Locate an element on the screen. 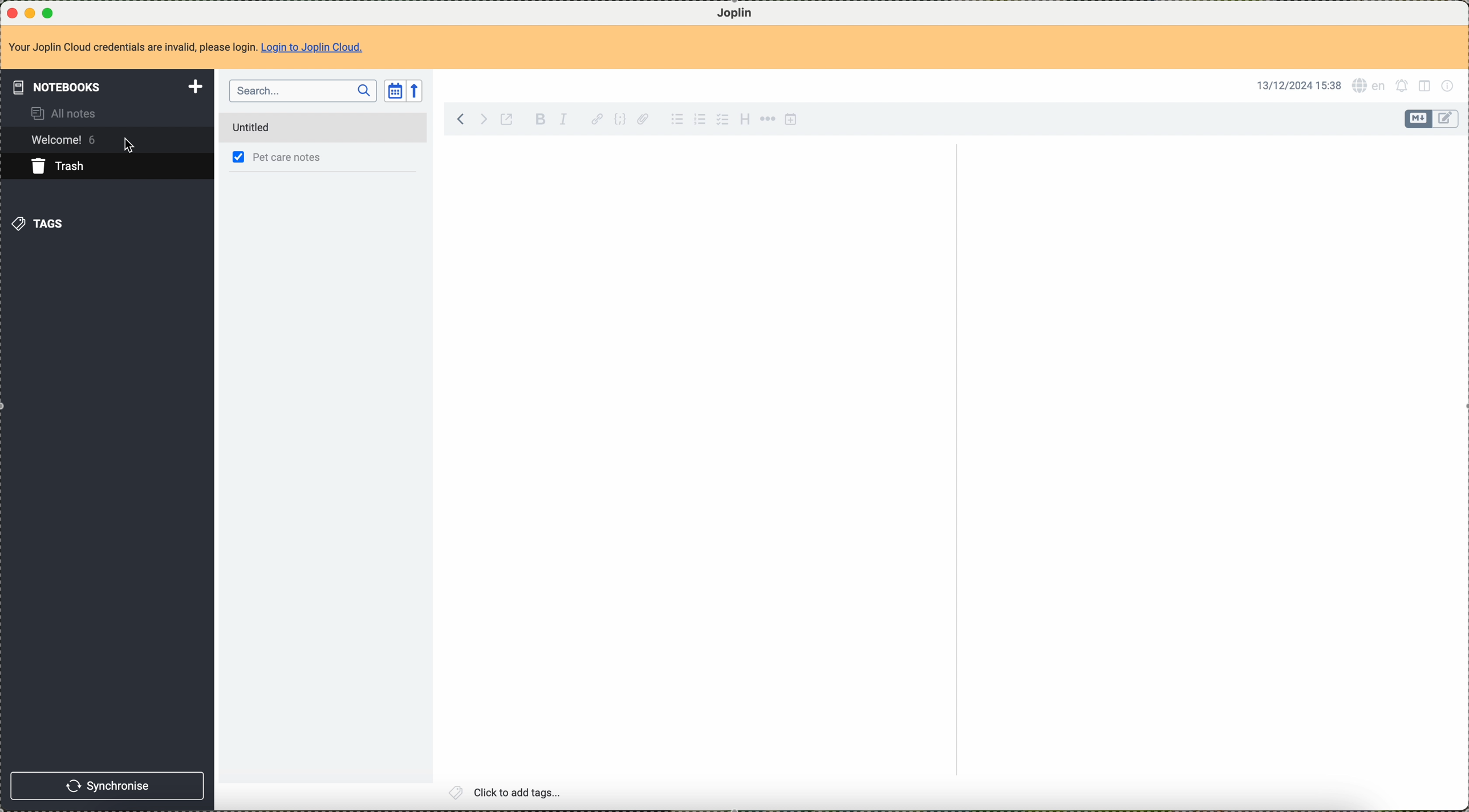 The height and width of the screenshot is (812, 1469). synchronise is located at coordinates (107, 787).